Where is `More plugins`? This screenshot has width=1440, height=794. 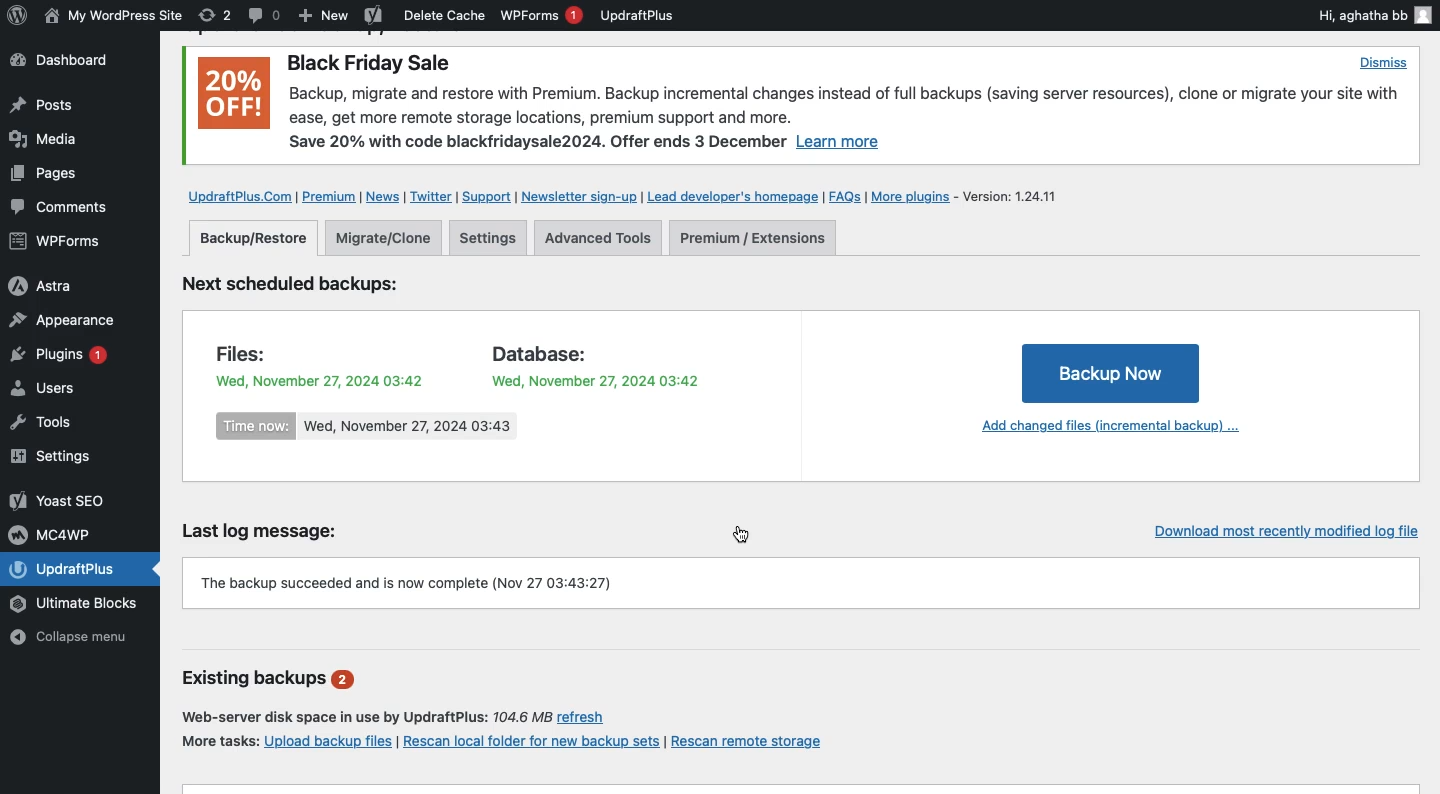
More plugins is located at coordinates (915, 196).